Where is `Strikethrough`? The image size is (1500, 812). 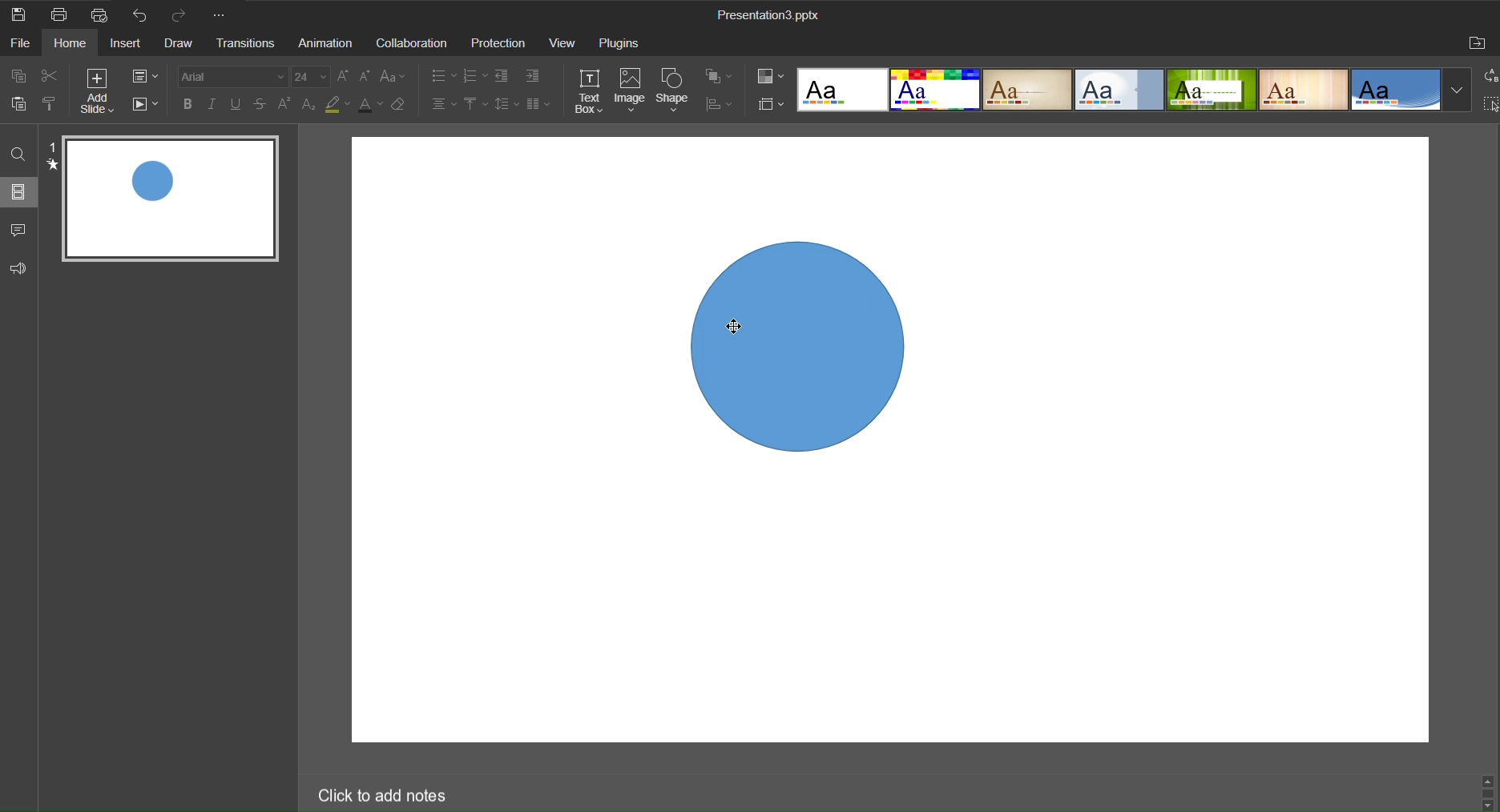
Strikethrough is located at coordinates (262, 106).